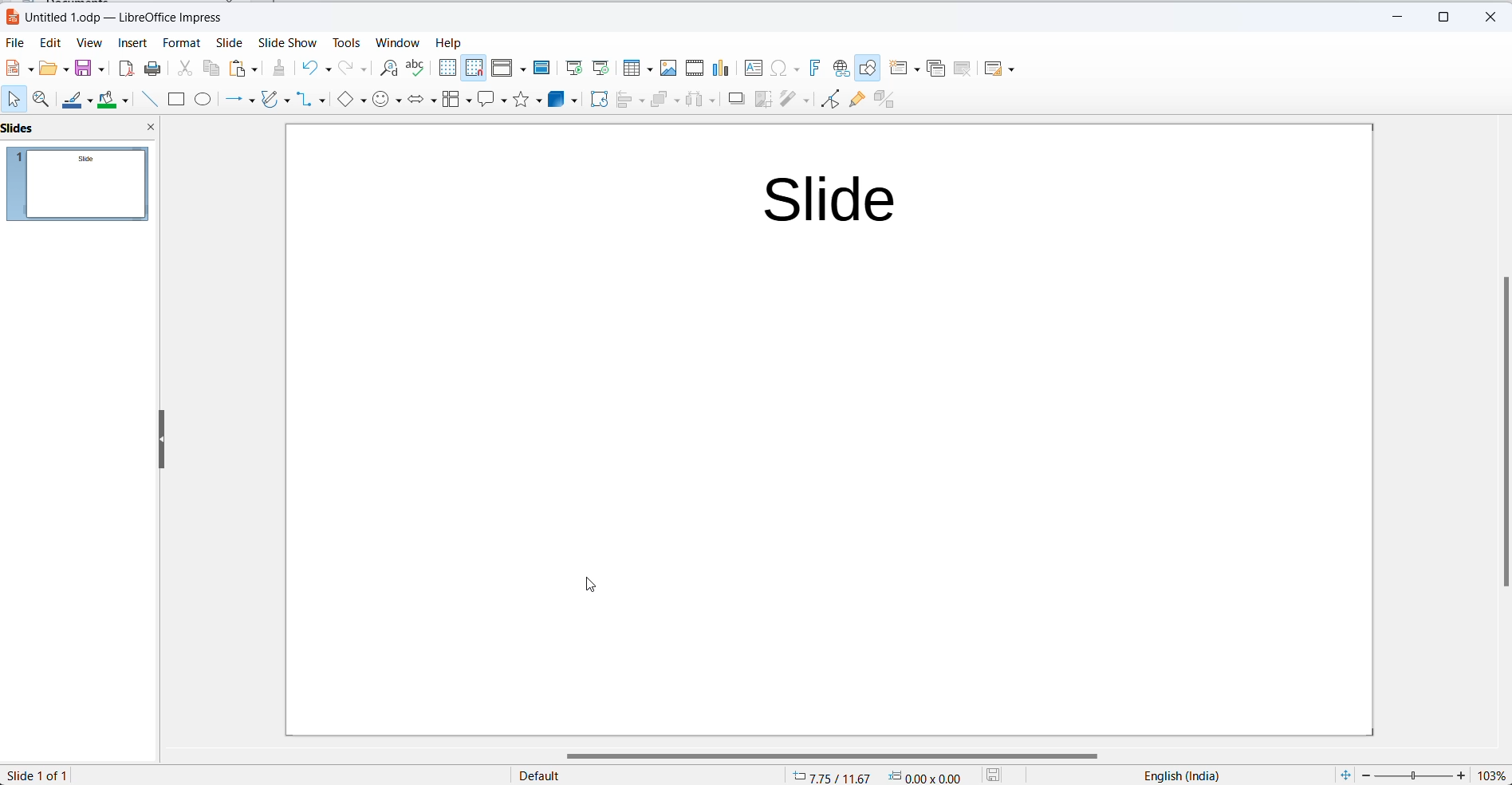 This screenshot has height=785, width=1512. Describe the element at coordinates (828, 776) in the screenshot. I see `cursor location: -1.312 7/049` at that location.